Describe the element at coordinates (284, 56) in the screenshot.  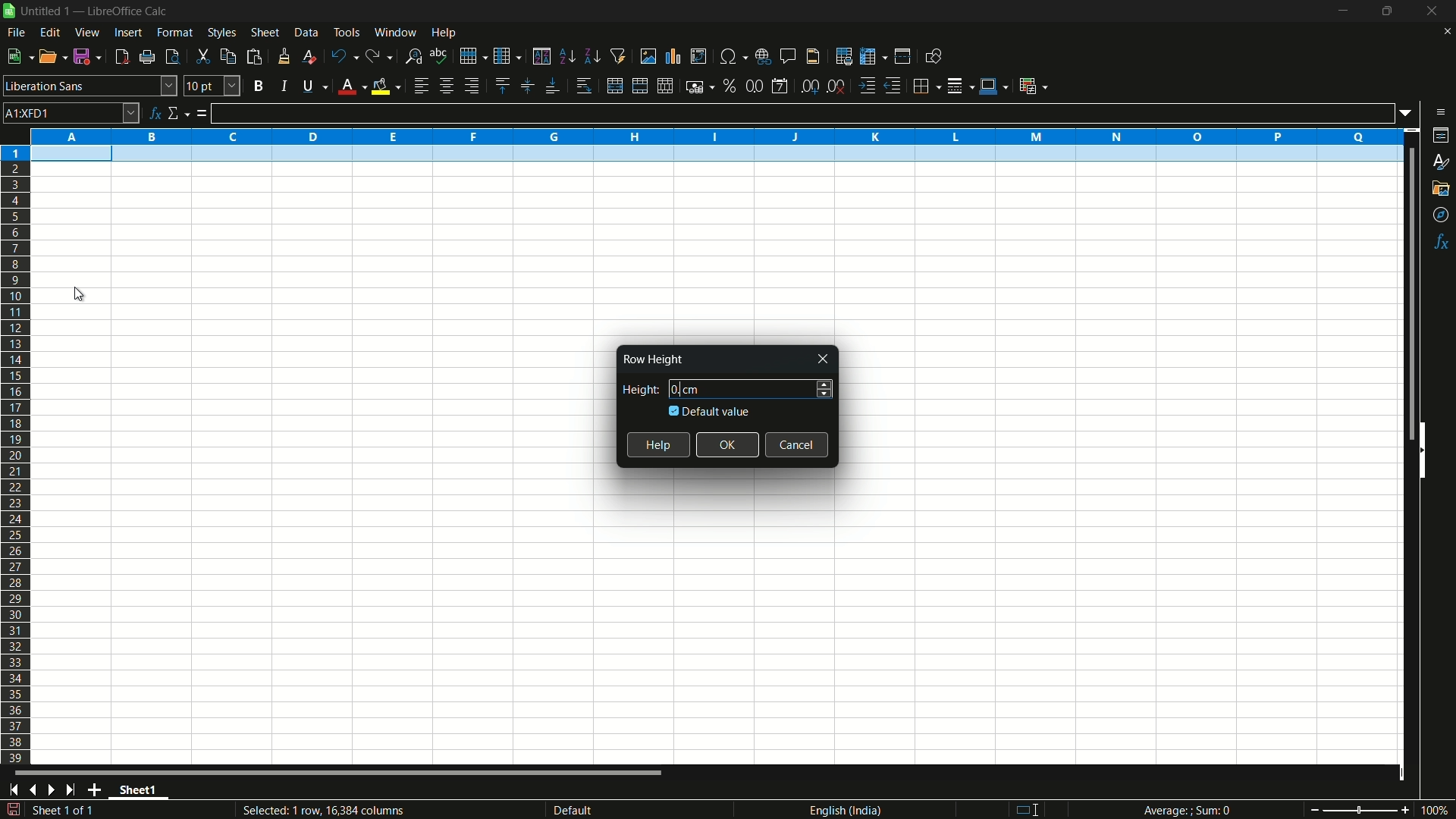
I see `clone formatting` at that location.